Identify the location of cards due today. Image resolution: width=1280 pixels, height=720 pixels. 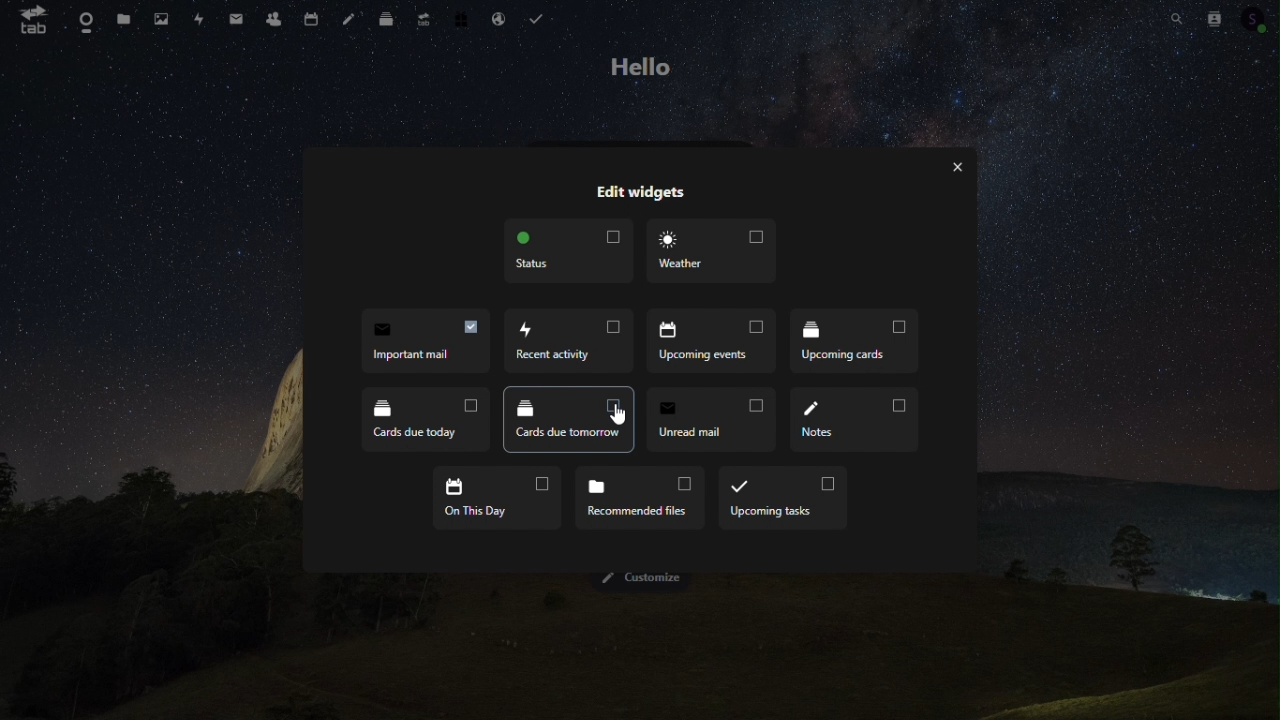
(416, 418).